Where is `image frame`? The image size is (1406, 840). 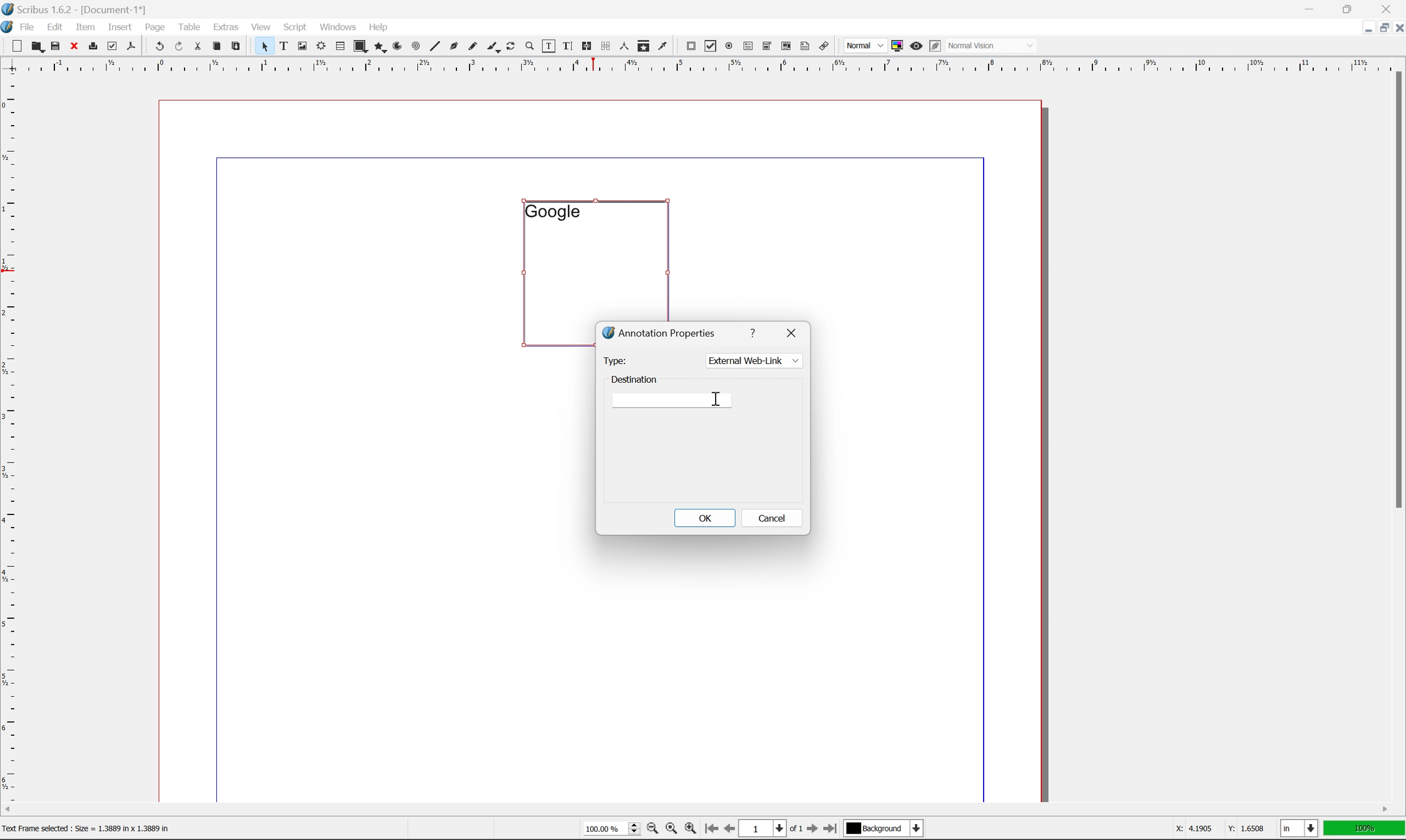 image frame is located at coordinates (302, 47).